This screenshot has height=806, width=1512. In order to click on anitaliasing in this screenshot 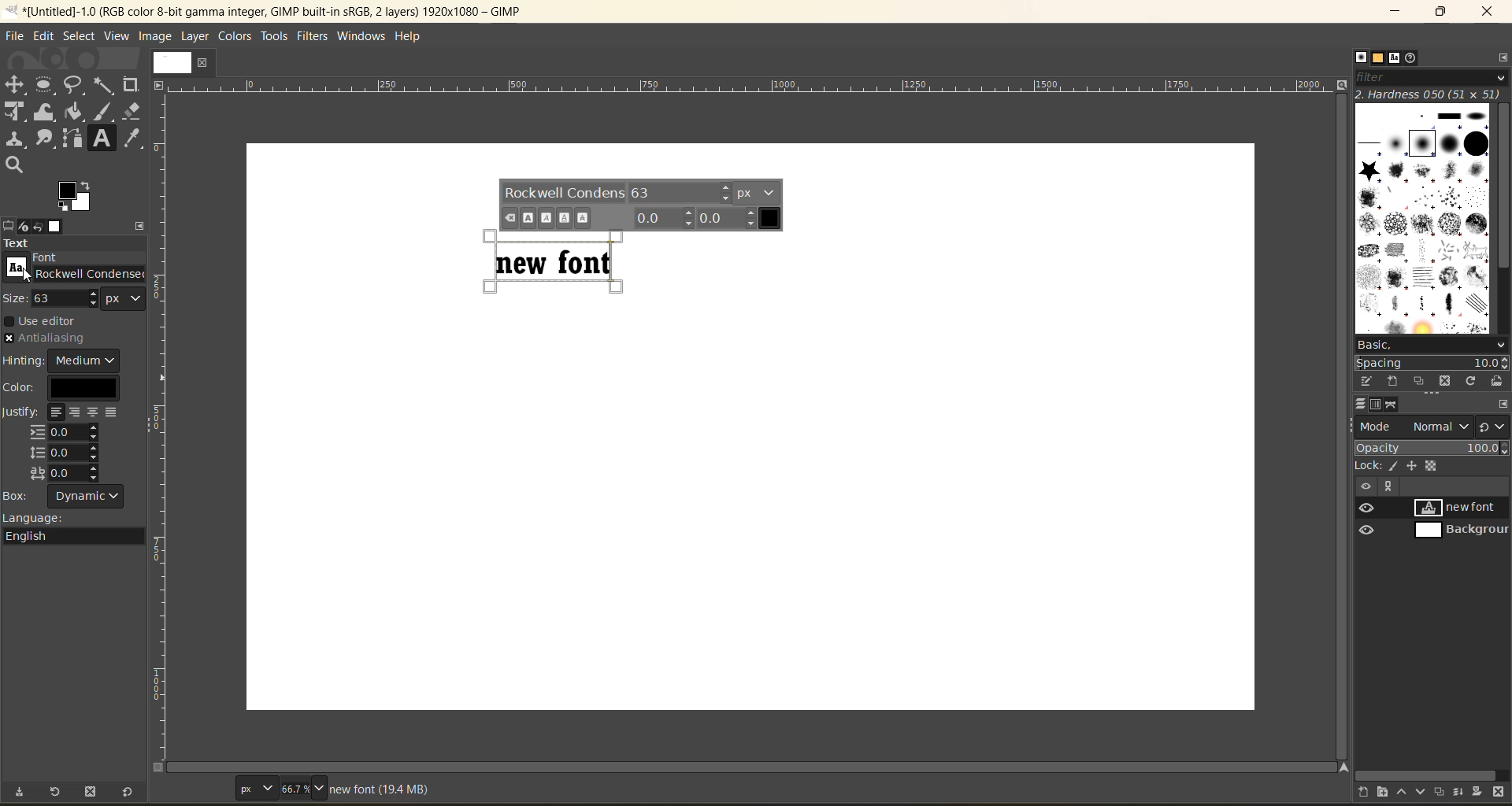, I will do `click(58, 337)`.